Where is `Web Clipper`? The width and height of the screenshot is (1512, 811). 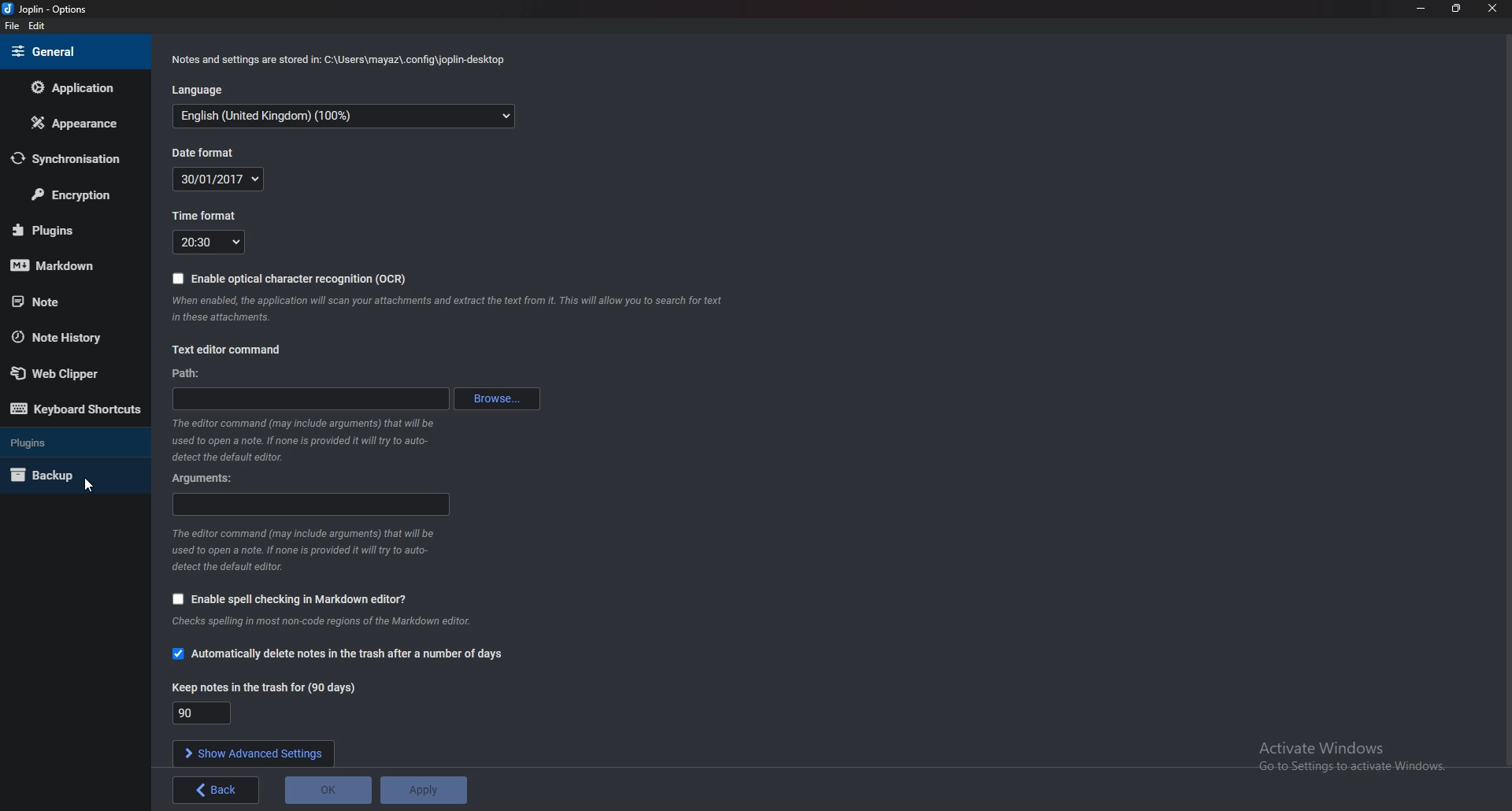
Web Clipper is located at coordinates (69, 374).